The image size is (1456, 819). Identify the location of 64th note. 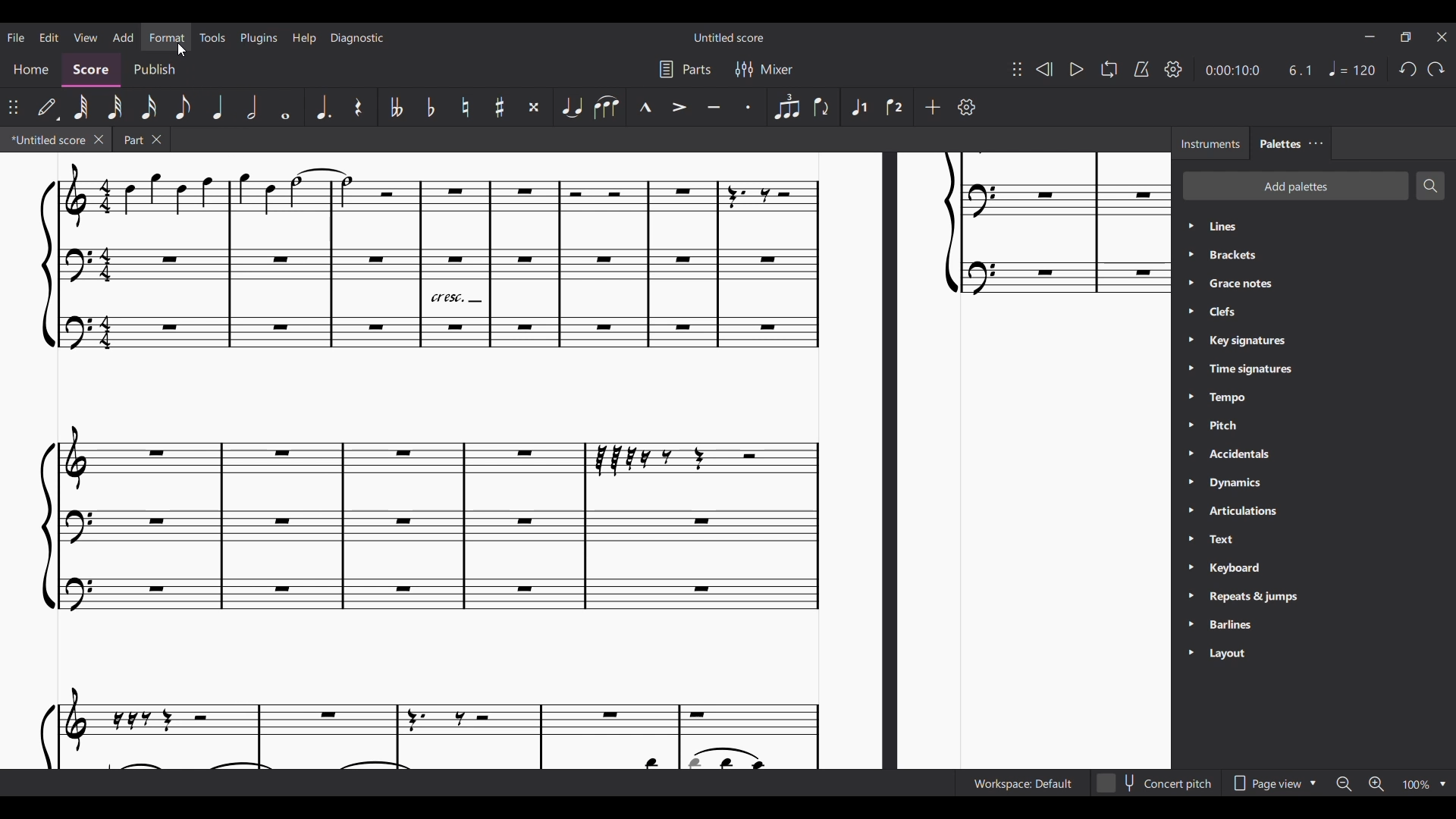
(81, 108).